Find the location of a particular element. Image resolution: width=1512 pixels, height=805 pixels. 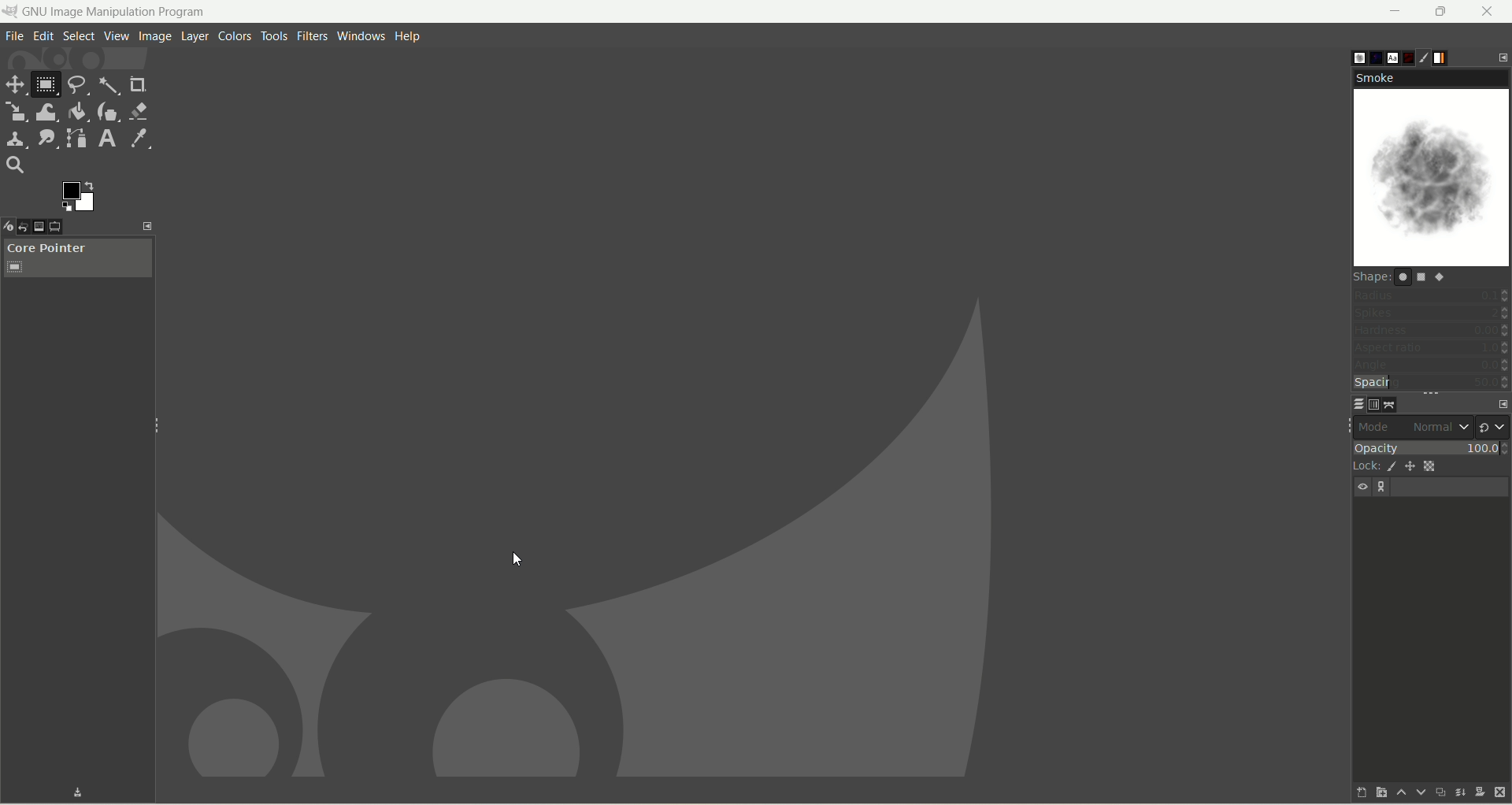

tool option is located at coordinates (68, 228).